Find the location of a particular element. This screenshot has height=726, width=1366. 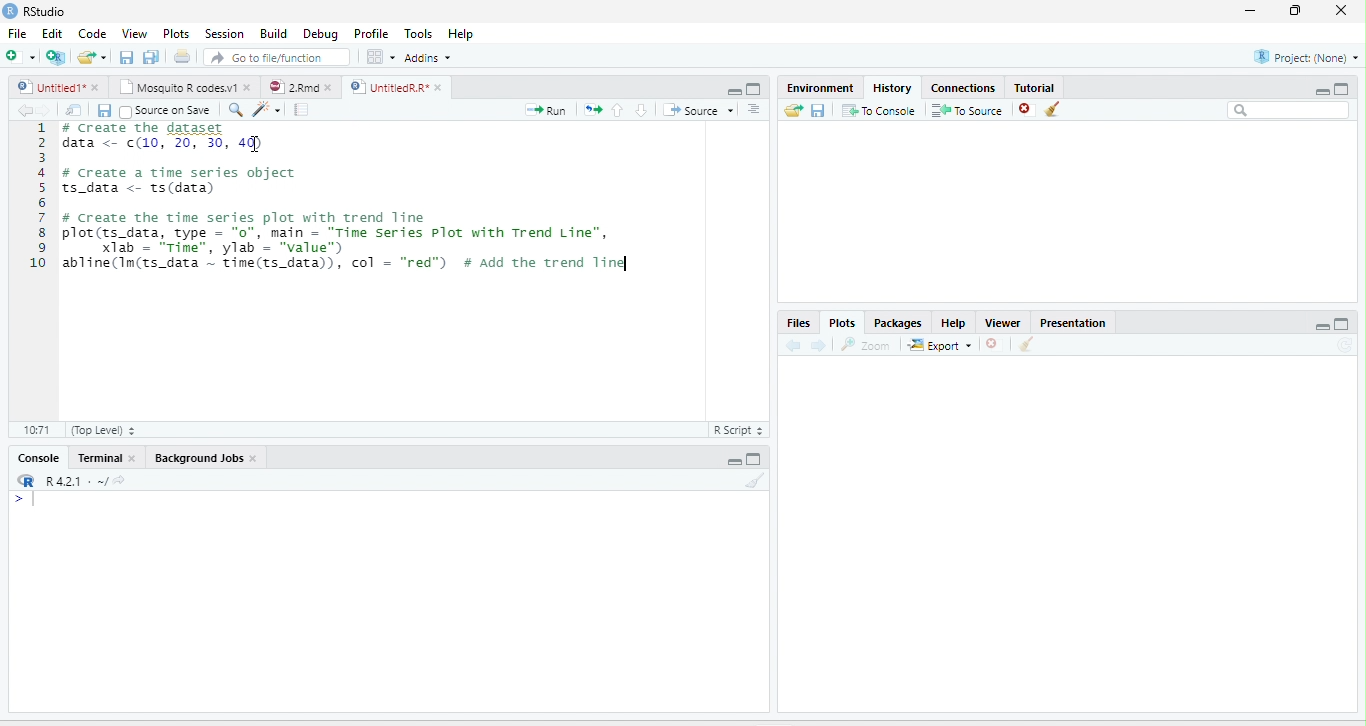

Go to file/function is located at coordinates (277, 57).